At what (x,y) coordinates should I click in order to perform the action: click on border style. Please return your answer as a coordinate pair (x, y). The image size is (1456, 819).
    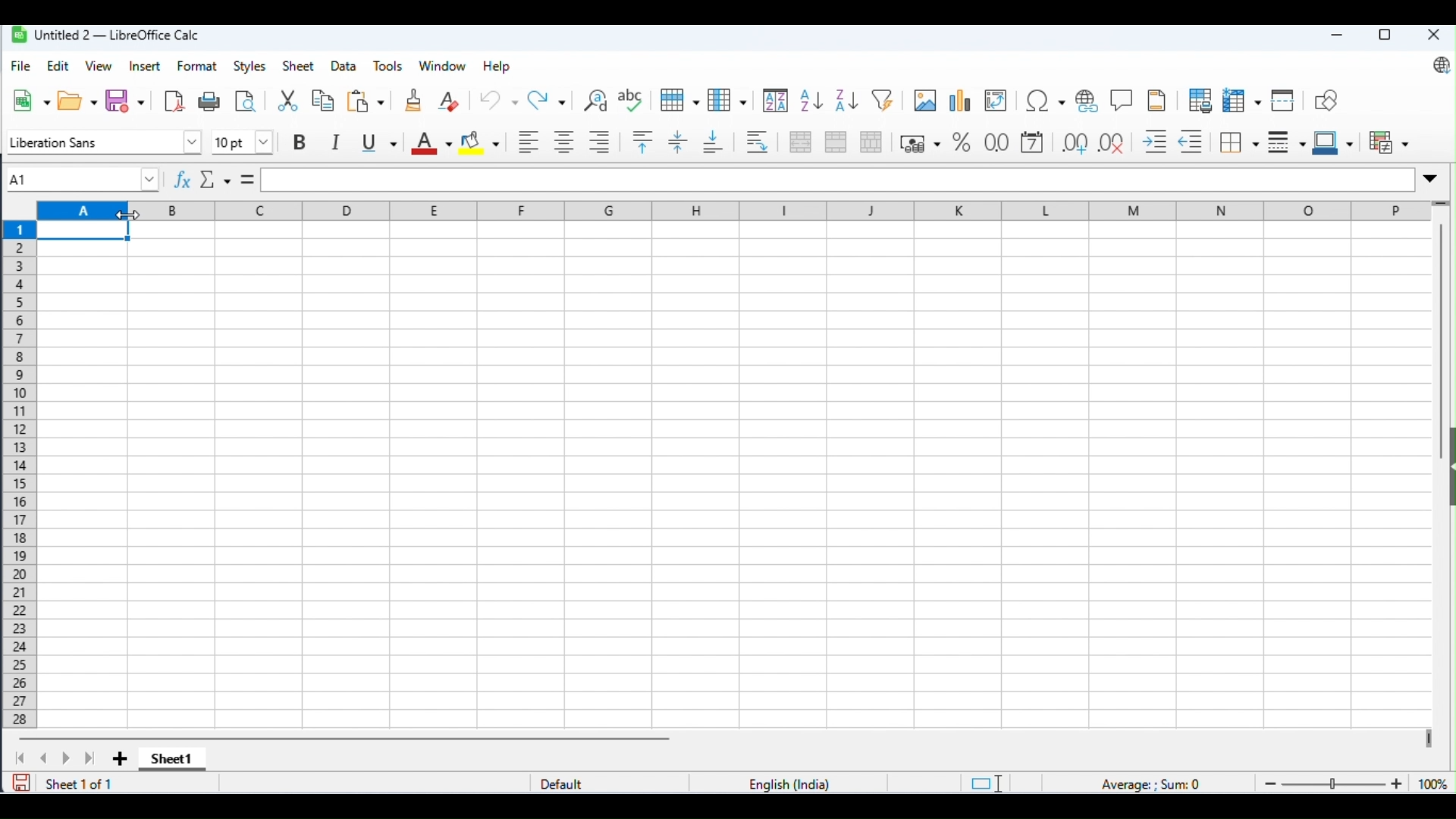
    Looking at the image, I should click on (1288, 140).